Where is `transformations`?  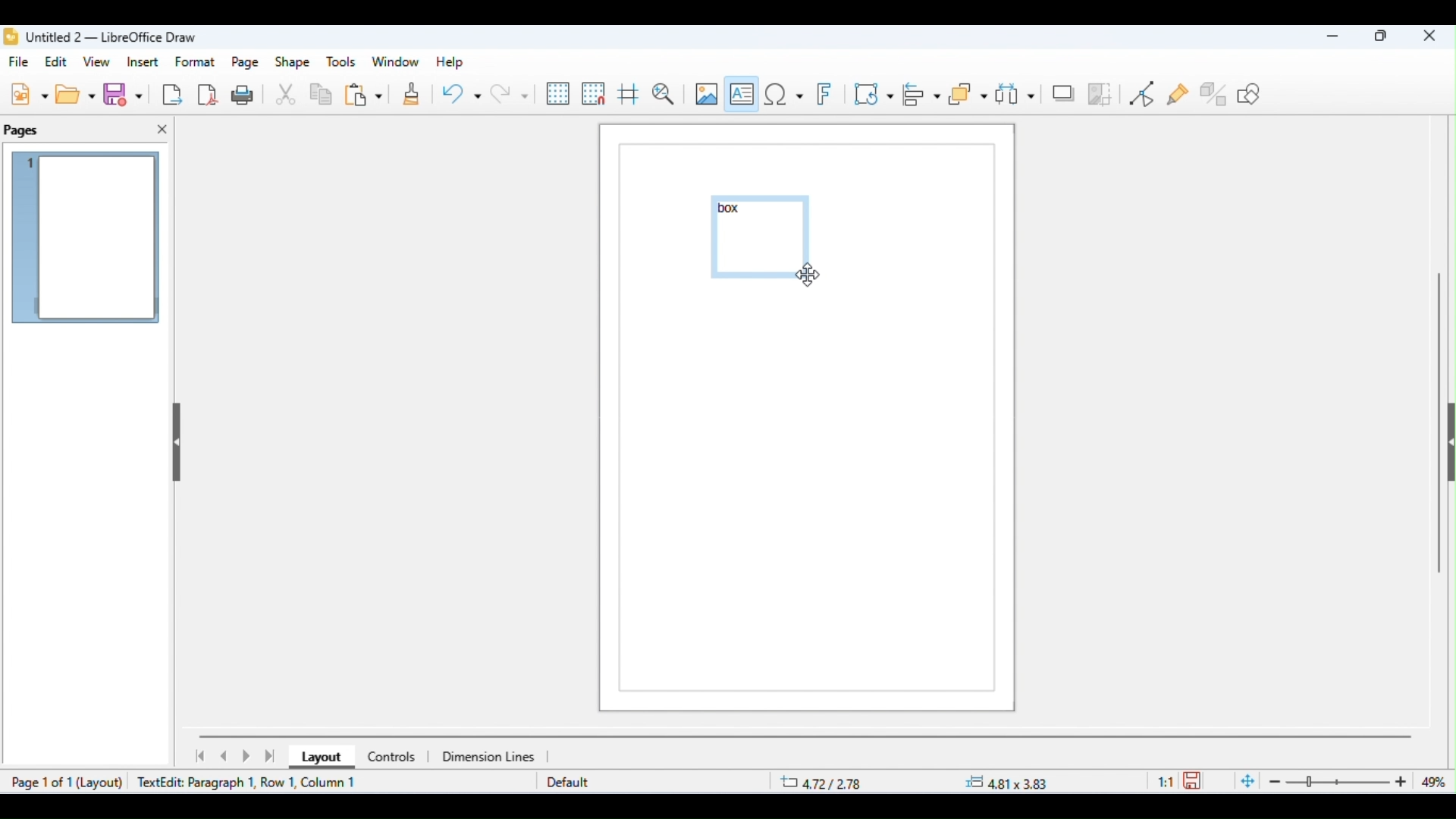
transformations is located at coordinates (874, 93).